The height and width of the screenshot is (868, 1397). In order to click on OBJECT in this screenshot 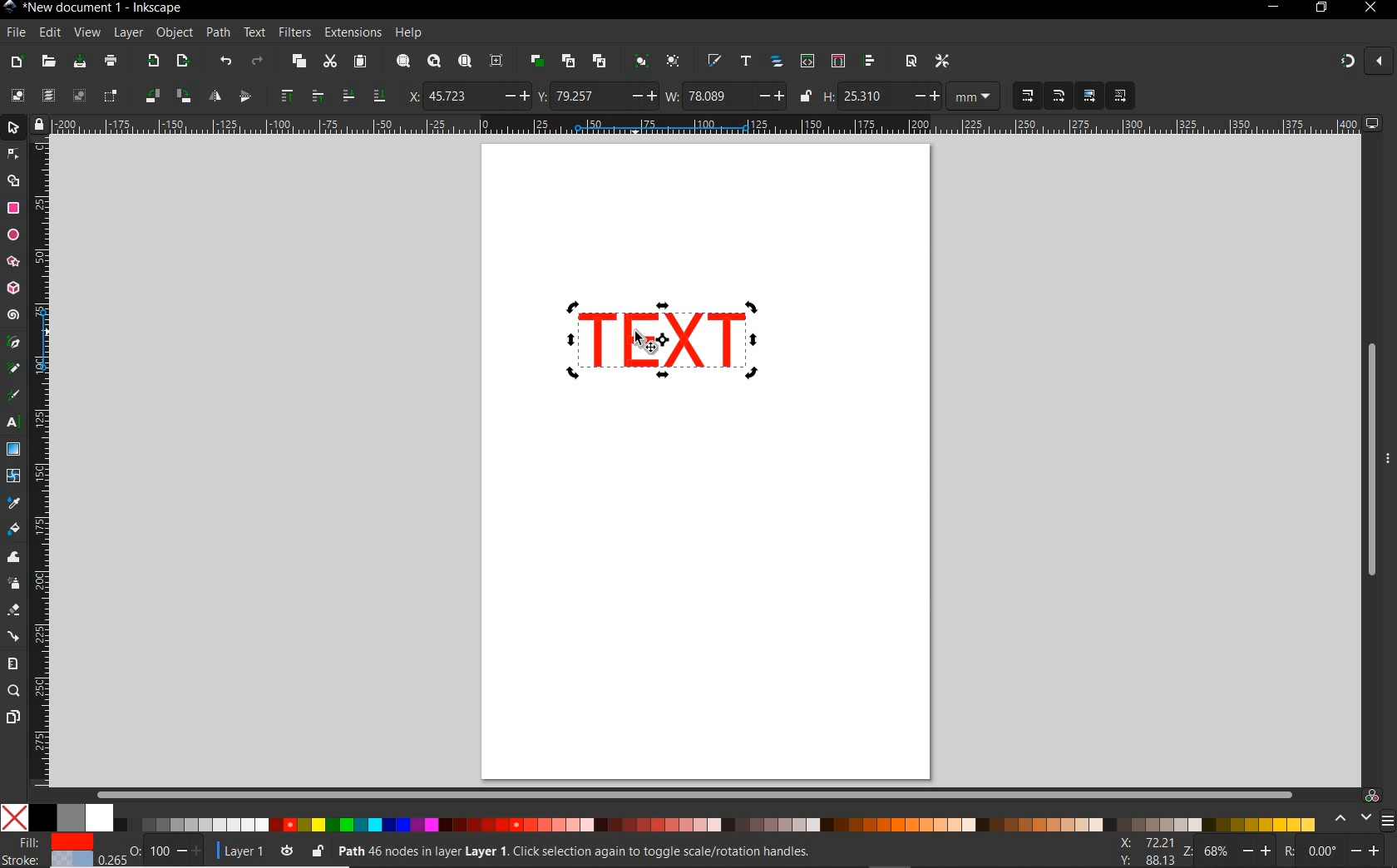, I will do `click(175, 35)`.